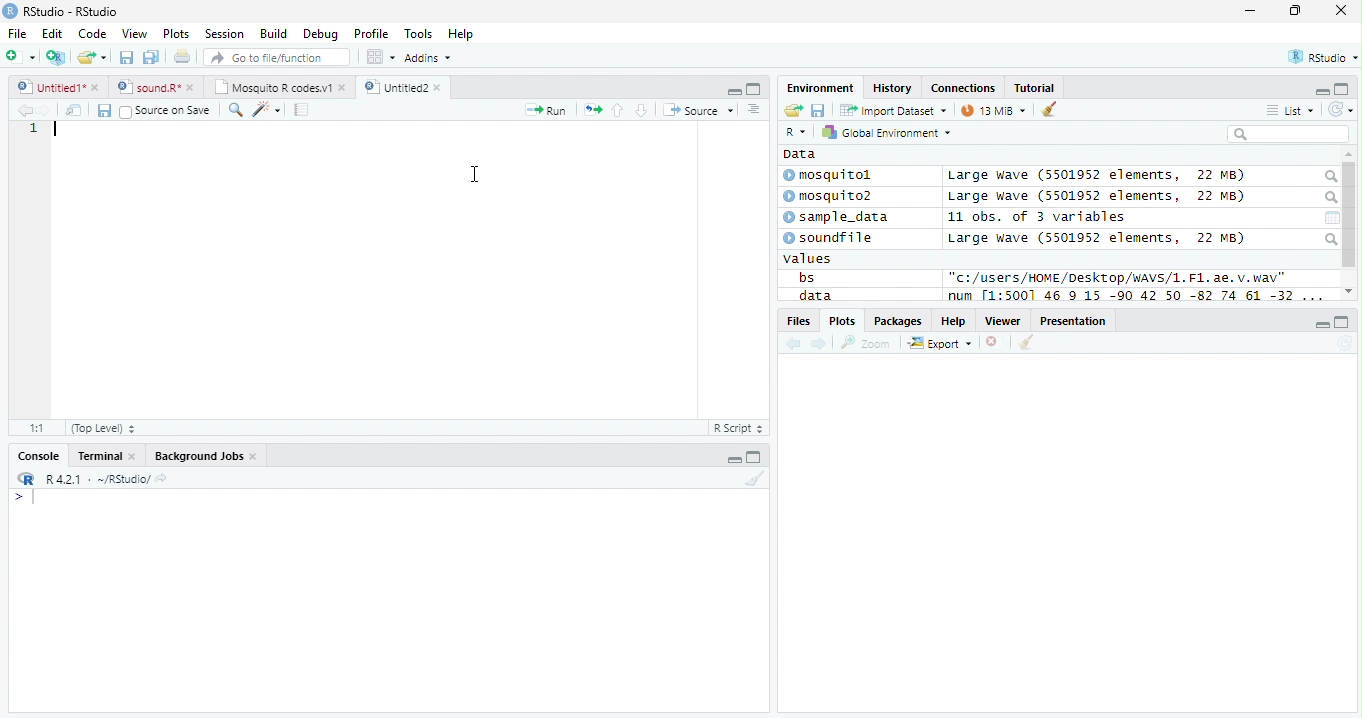 This screenshot has width=1362, height=718. Describe the element at coordinates (382, 57) in the screenshot. I see `workspace panes` at that location.